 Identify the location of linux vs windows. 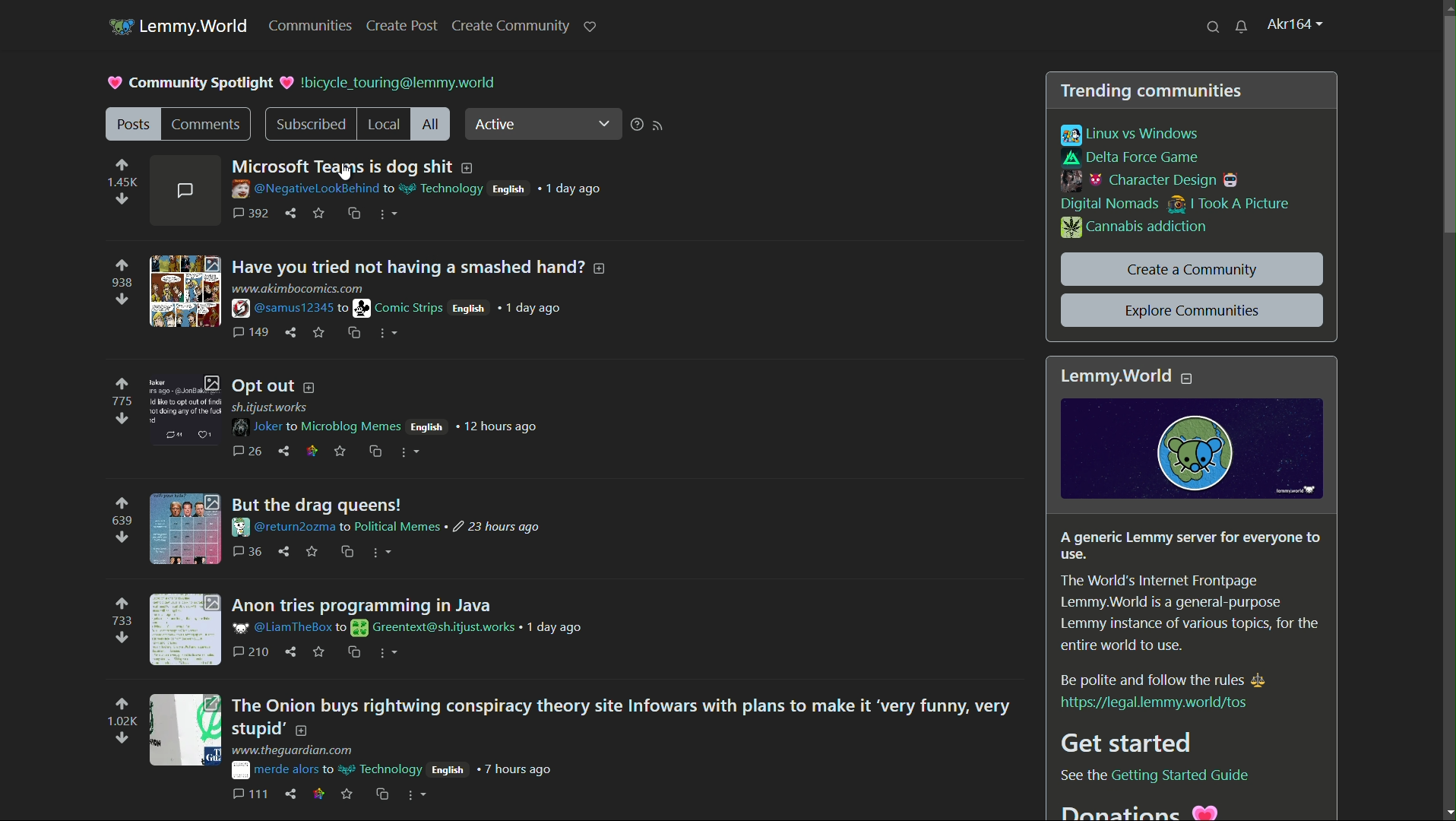
(1132, 136).